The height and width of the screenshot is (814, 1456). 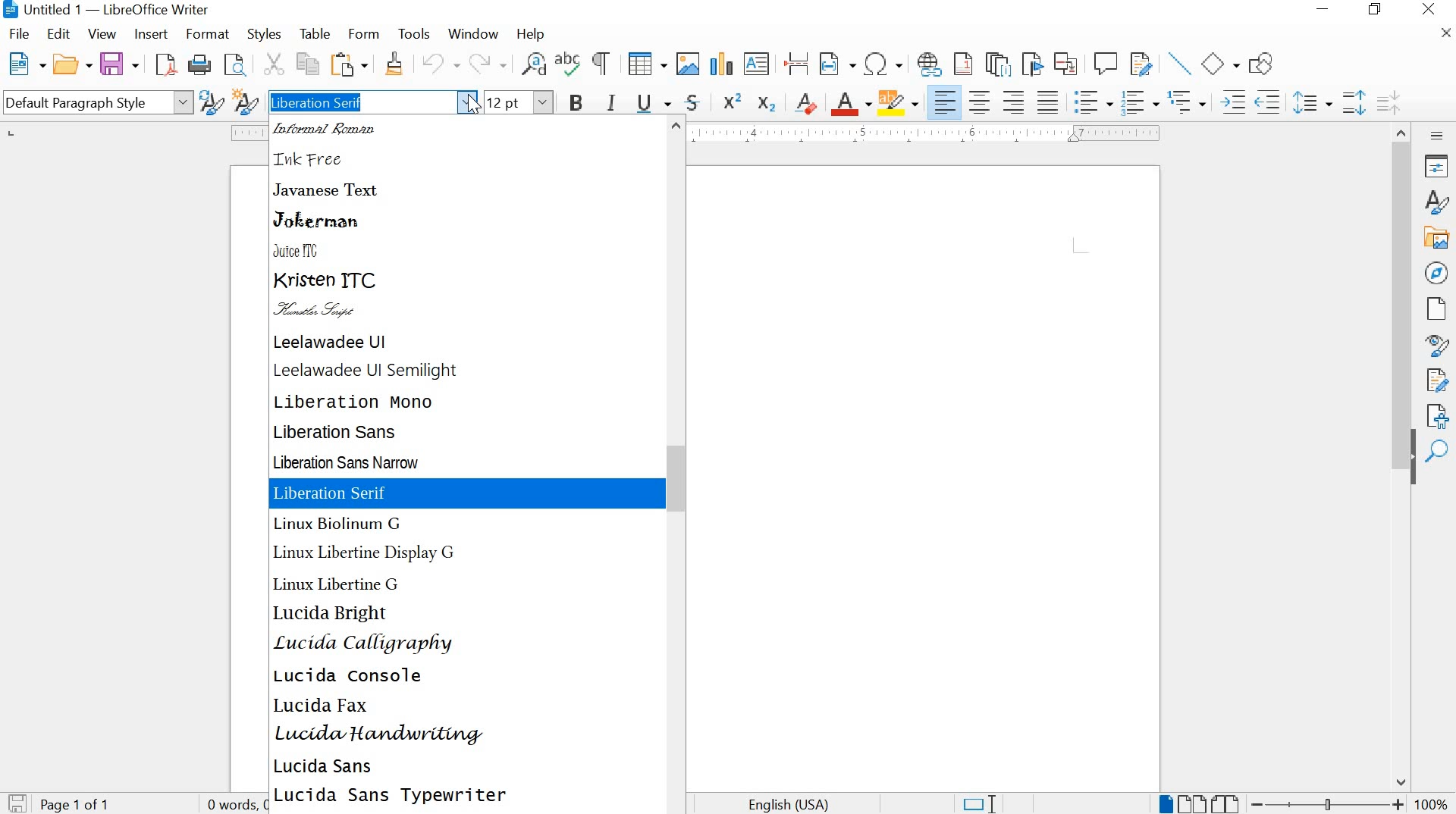 I want to click on INCREASE PARAGRAPH SPACING, so click(x=1354, y=101).